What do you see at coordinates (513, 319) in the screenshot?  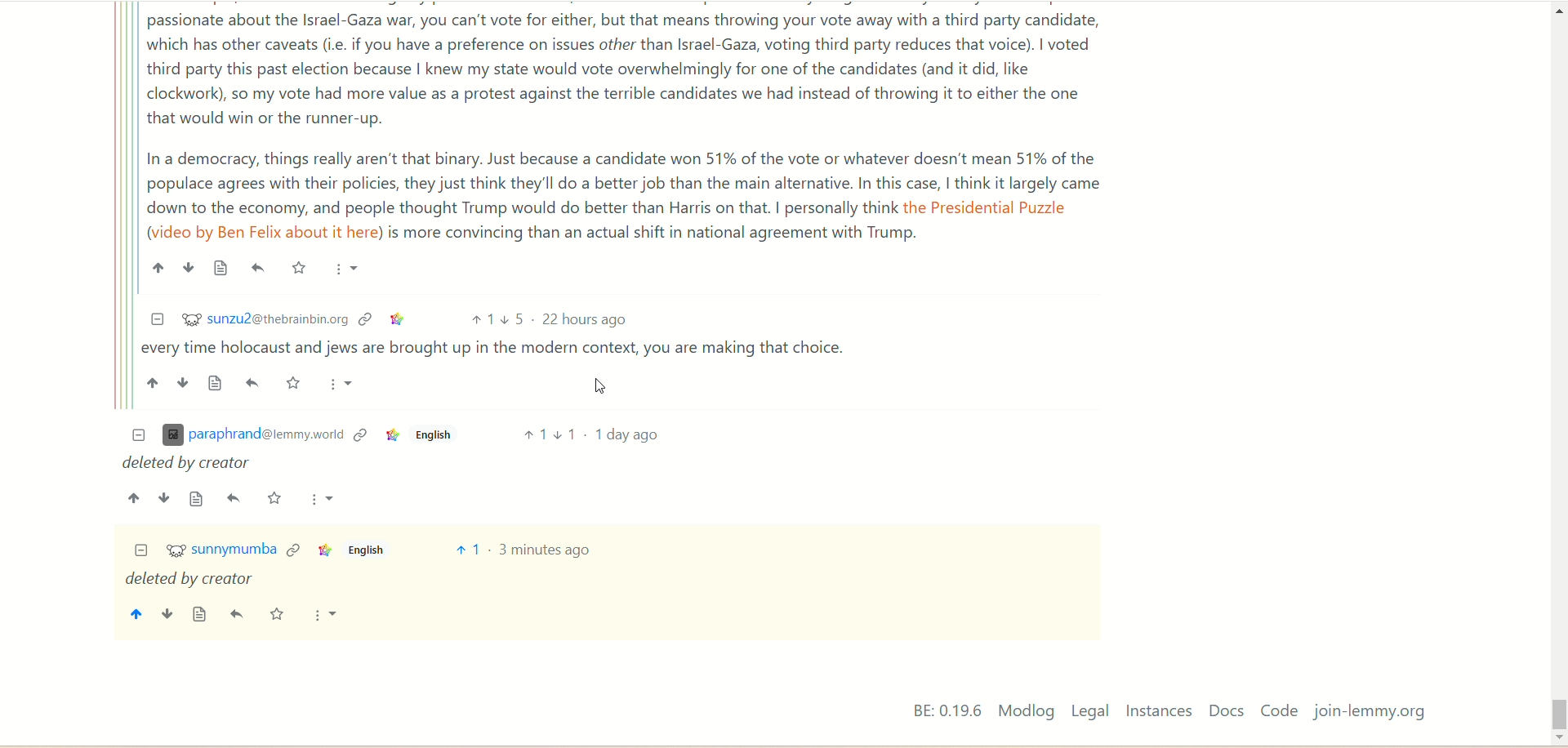 I see `Downvote 5` at bounding box center [513, 319].